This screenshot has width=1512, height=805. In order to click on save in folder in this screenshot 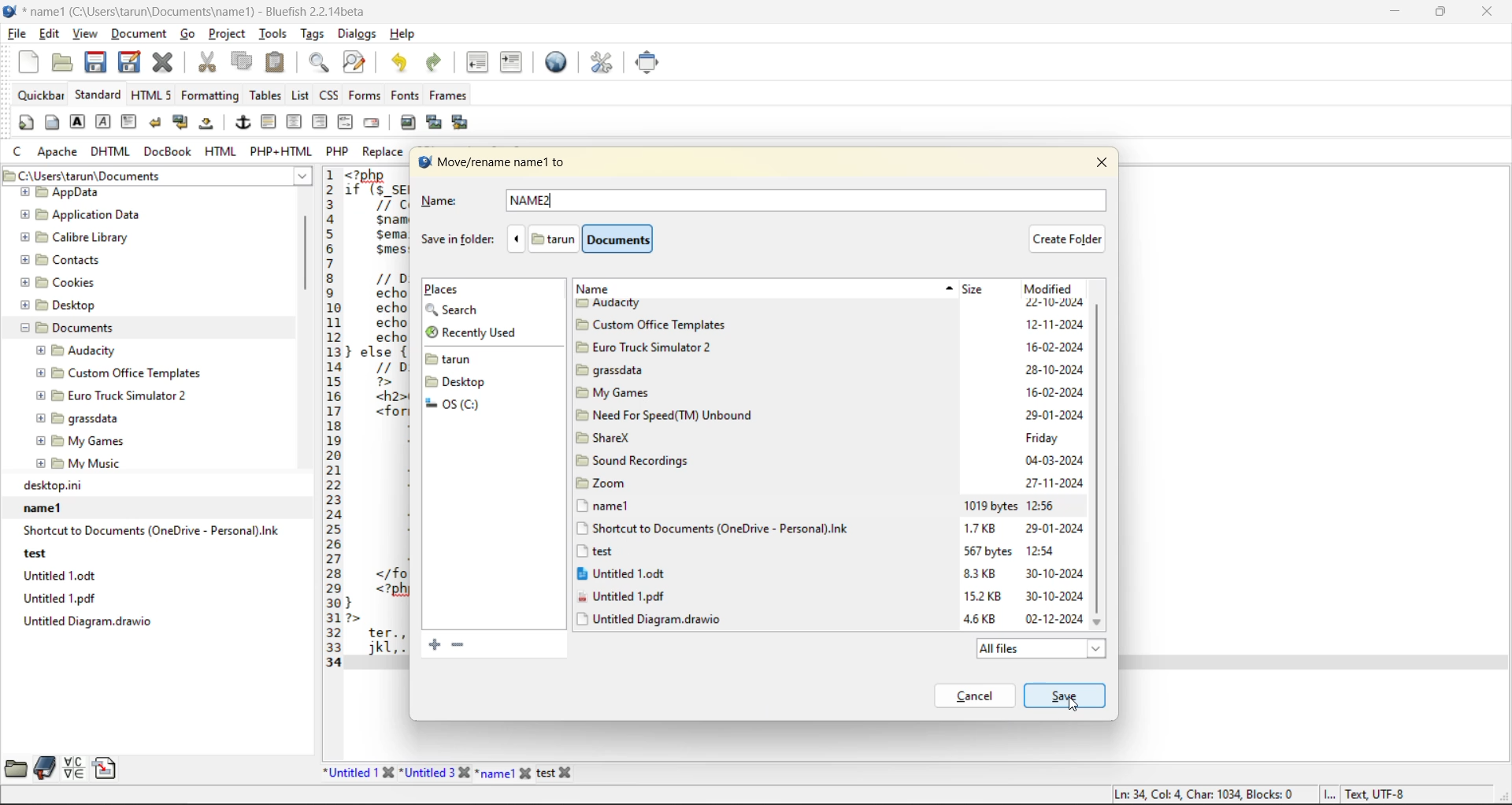, I will do `click(452, 239)`.